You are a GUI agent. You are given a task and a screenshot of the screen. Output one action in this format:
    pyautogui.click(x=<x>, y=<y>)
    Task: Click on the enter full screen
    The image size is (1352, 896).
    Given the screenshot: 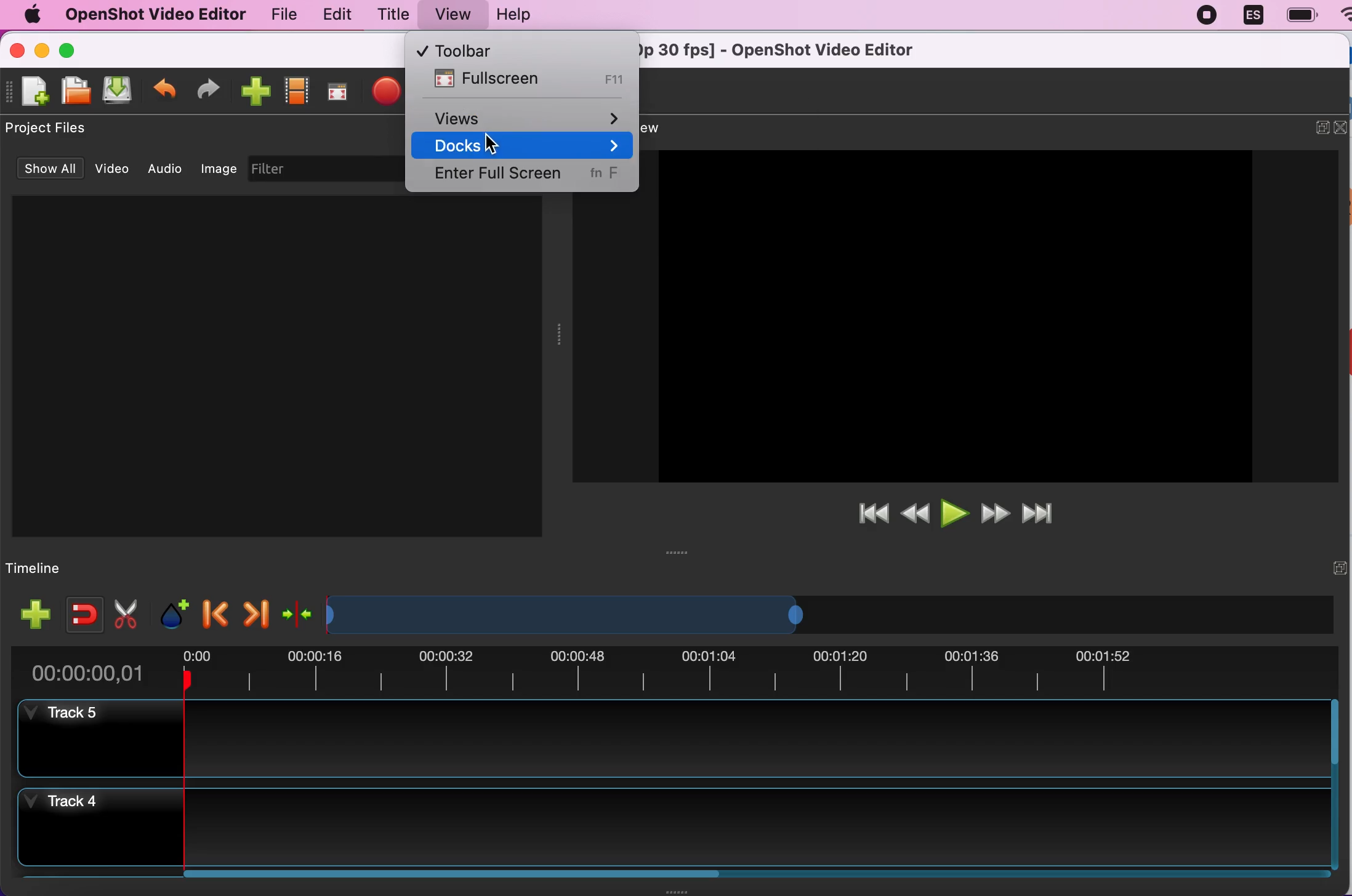 What is the action you would take?
    pyautogui.click(x=524, y=177)
    